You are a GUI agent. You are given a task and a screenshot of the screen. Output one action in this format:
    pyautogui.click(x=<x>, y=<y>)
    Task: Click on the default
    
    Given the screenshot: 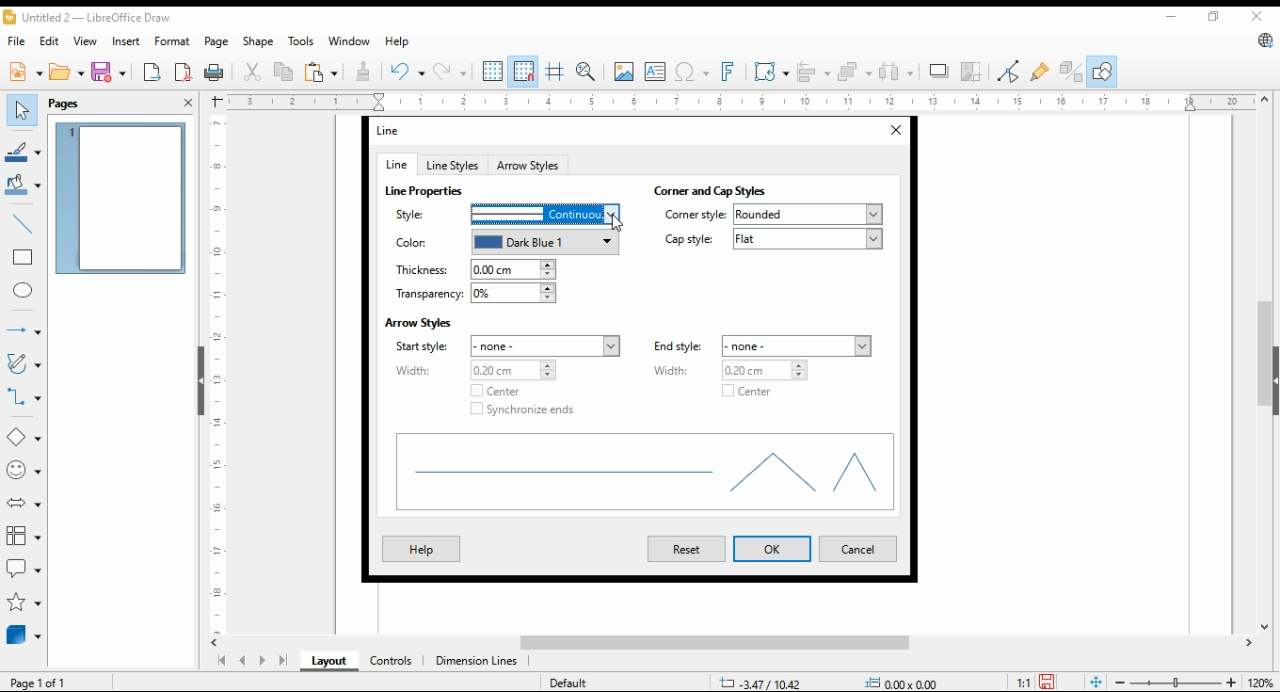 What is the action you would take?
    pyautogui.click(x=567, y=682)
    